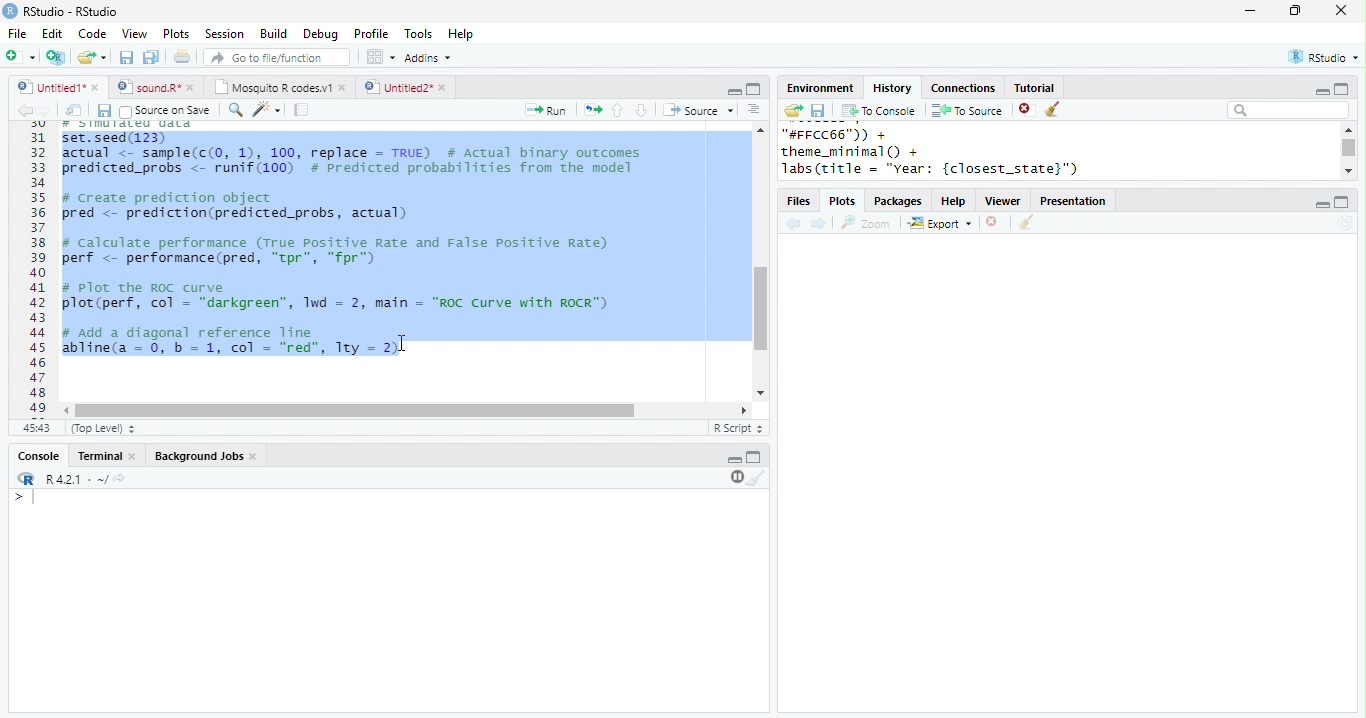 The image size is (1366, 718). Describe the element at coordinates (428, 58) in the screenshot. I see `Addins` at that location.